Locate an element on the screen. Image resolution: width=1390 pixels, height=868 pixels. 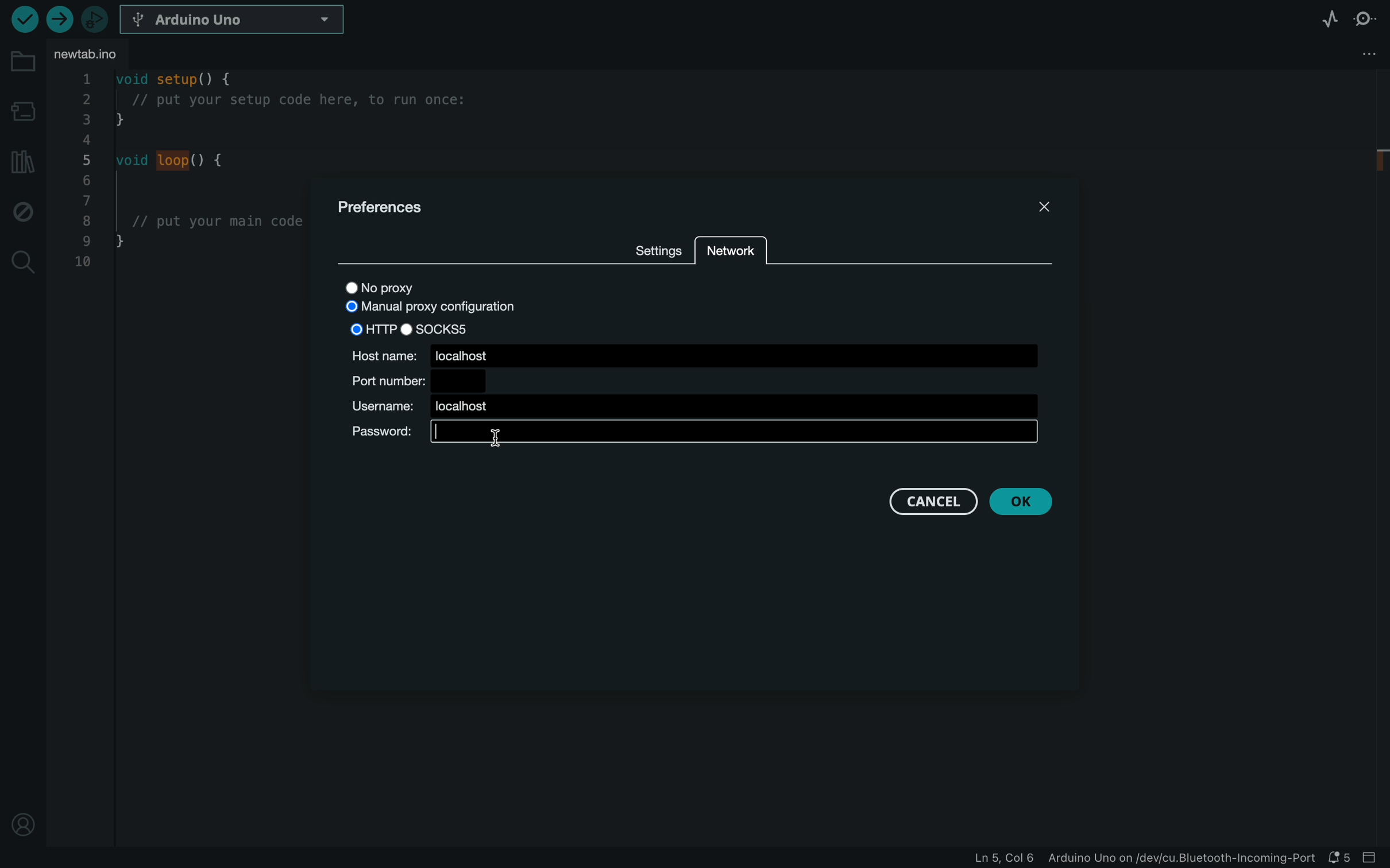
start typing is located at coordinates (735, 433).